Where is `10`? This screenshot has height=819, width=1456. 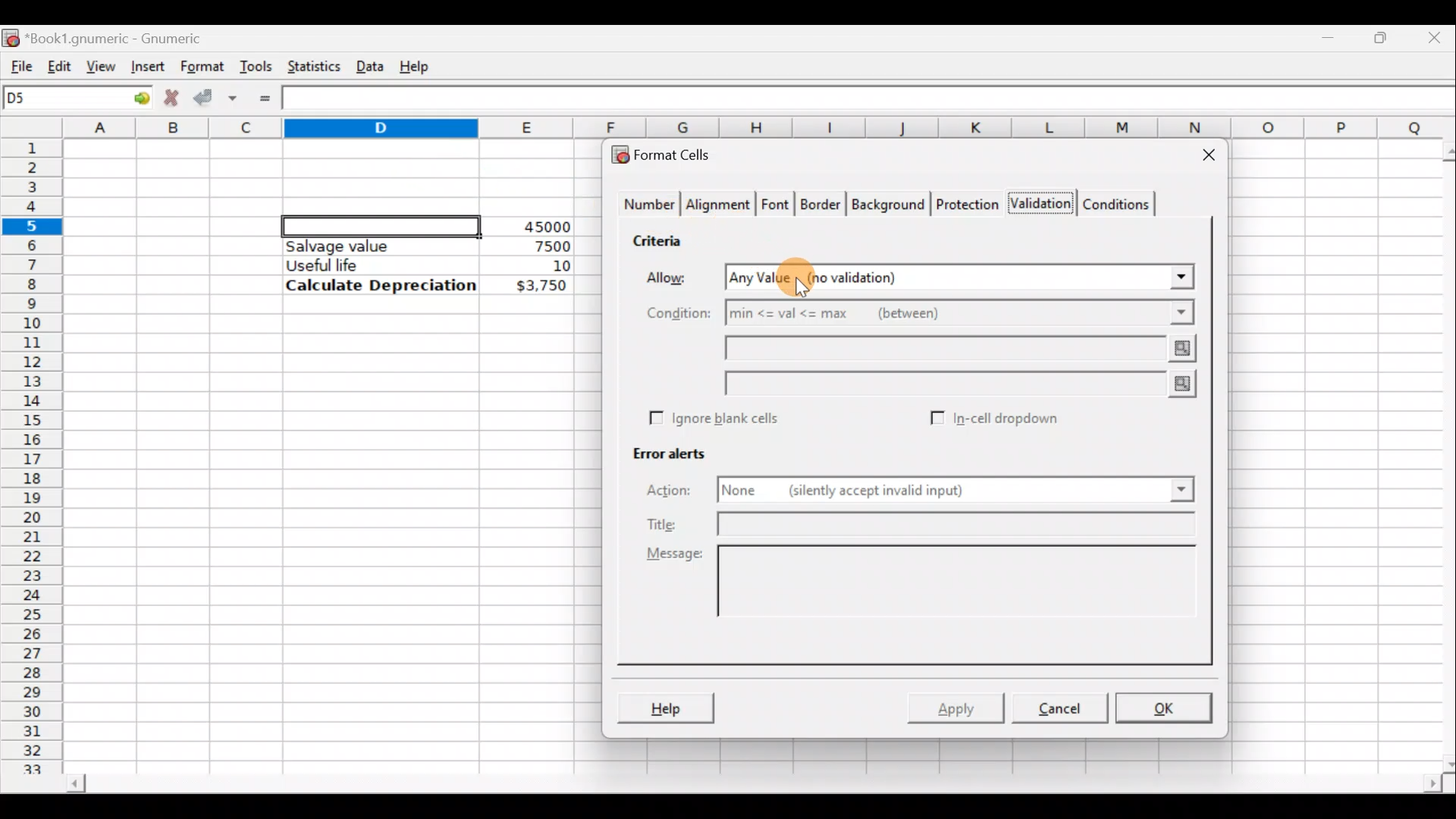
10 is located at coordinates (543, 266).